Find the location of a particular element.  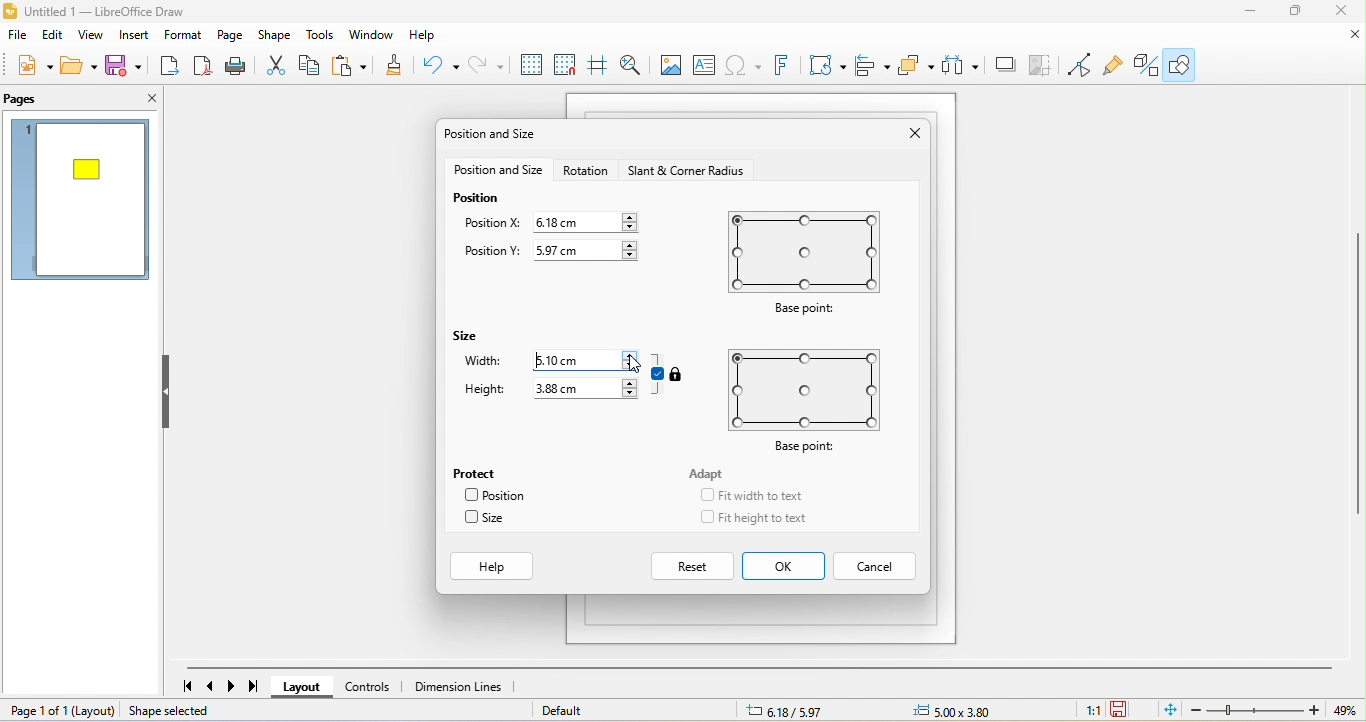

adapt is located at coordinates (705, 476).